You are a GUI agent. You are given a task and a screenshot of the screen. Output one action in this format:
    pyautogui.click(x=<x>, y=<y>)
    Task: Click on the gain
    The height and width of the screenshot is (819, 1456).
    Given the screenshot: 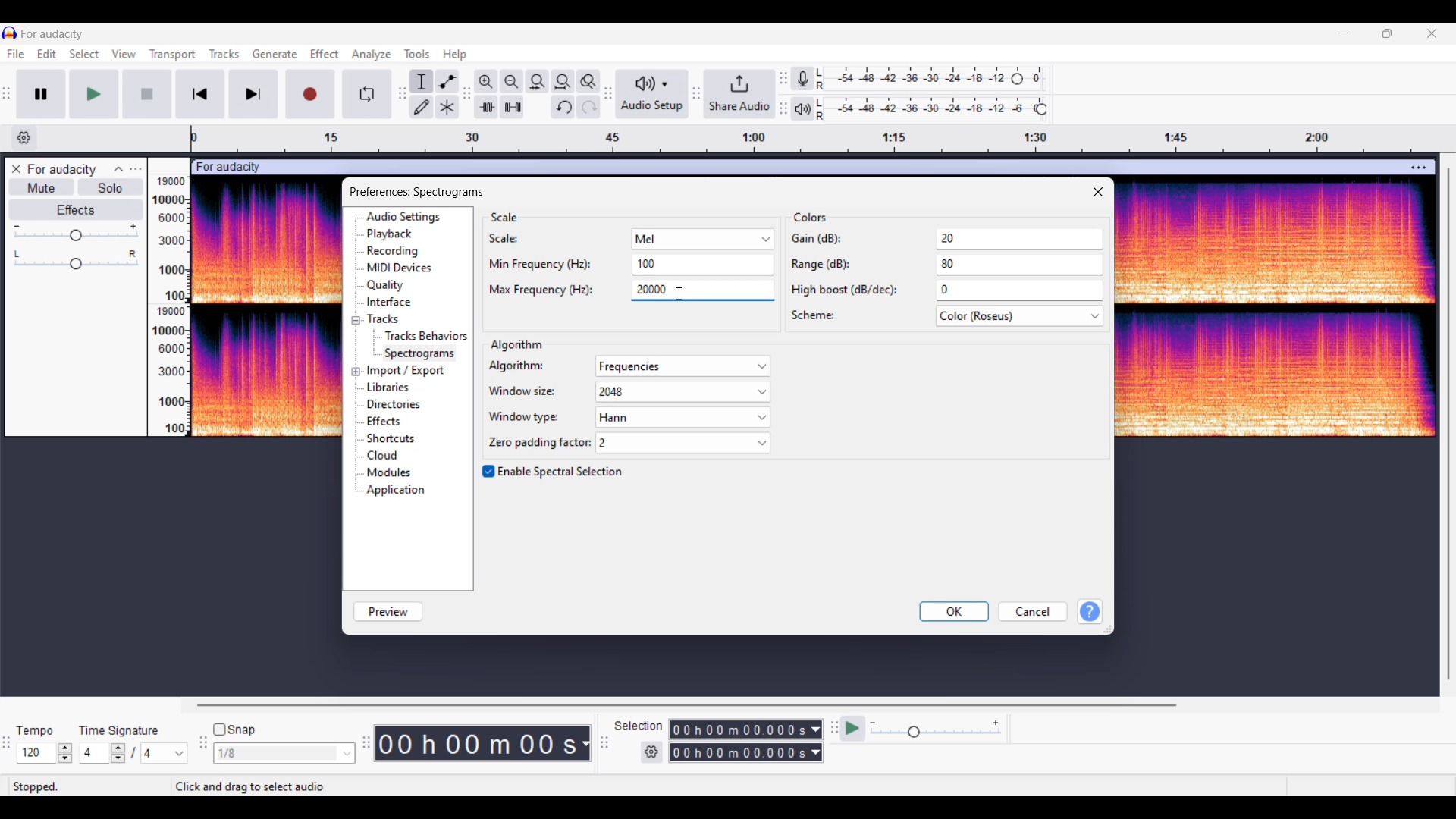 What is the action you would take?
    pyautogui.click(x=946, y=240)
    